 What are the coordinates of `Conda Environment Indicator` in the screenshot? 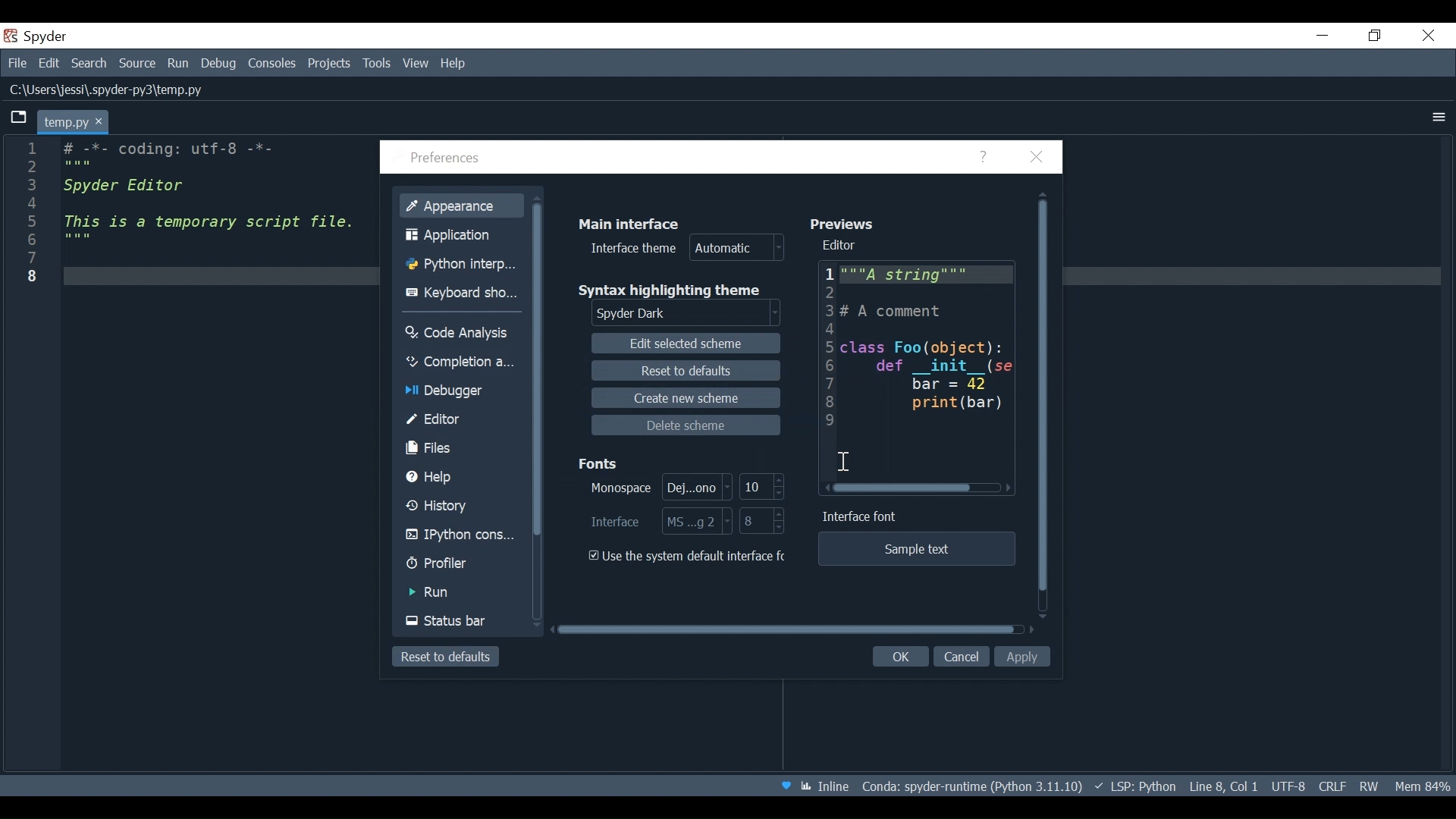 It's located at (970, 786).